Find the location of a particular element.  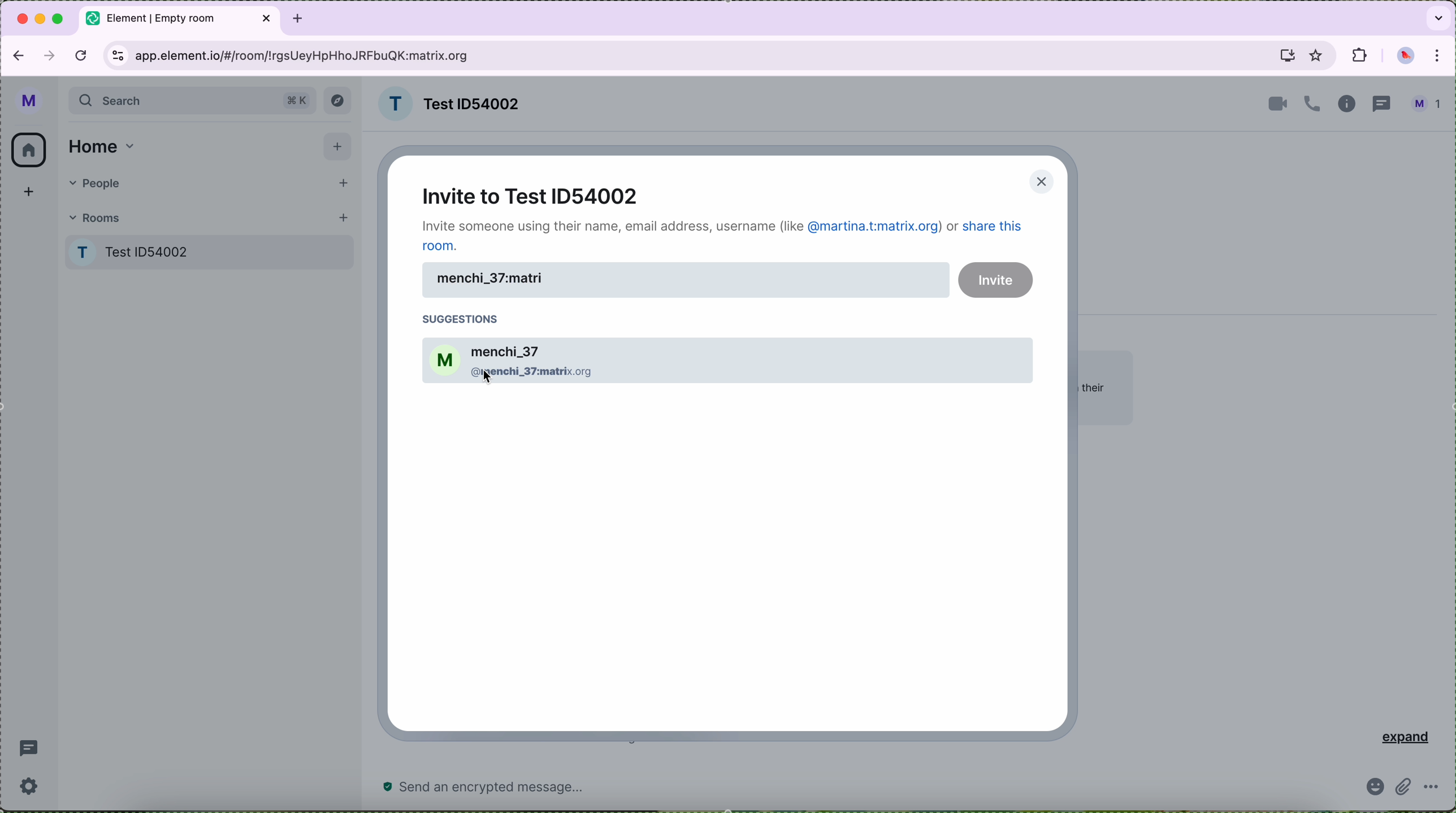

Test room is located at coordinates (212, 250).